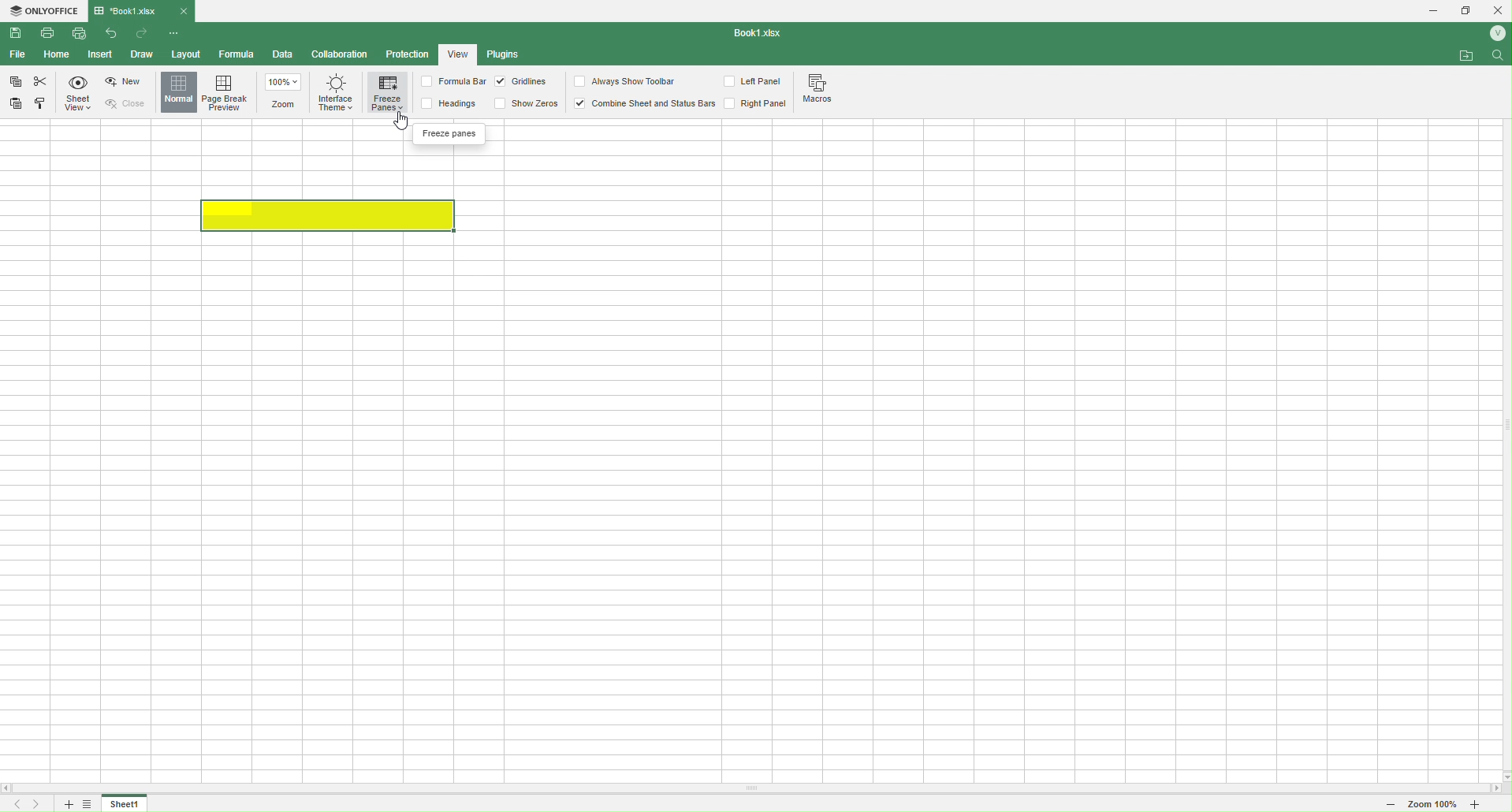  What do you see at coordinates (454, 103) in the screenshot?
I see `Headings` at bounding box center [454, 103].